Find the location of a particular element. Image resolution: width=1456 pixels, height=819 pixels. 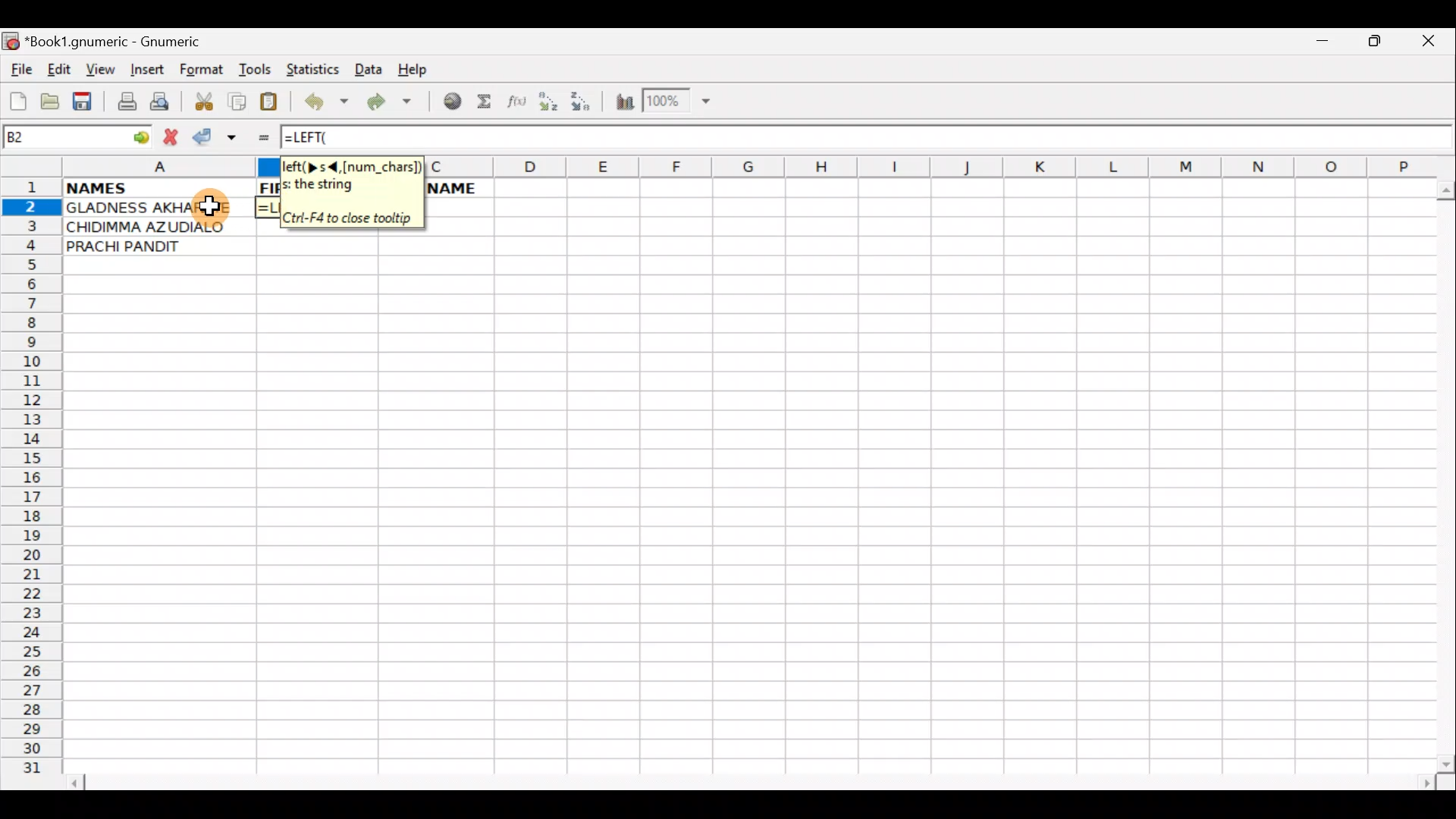

Help is located at coordinates (413, 70).